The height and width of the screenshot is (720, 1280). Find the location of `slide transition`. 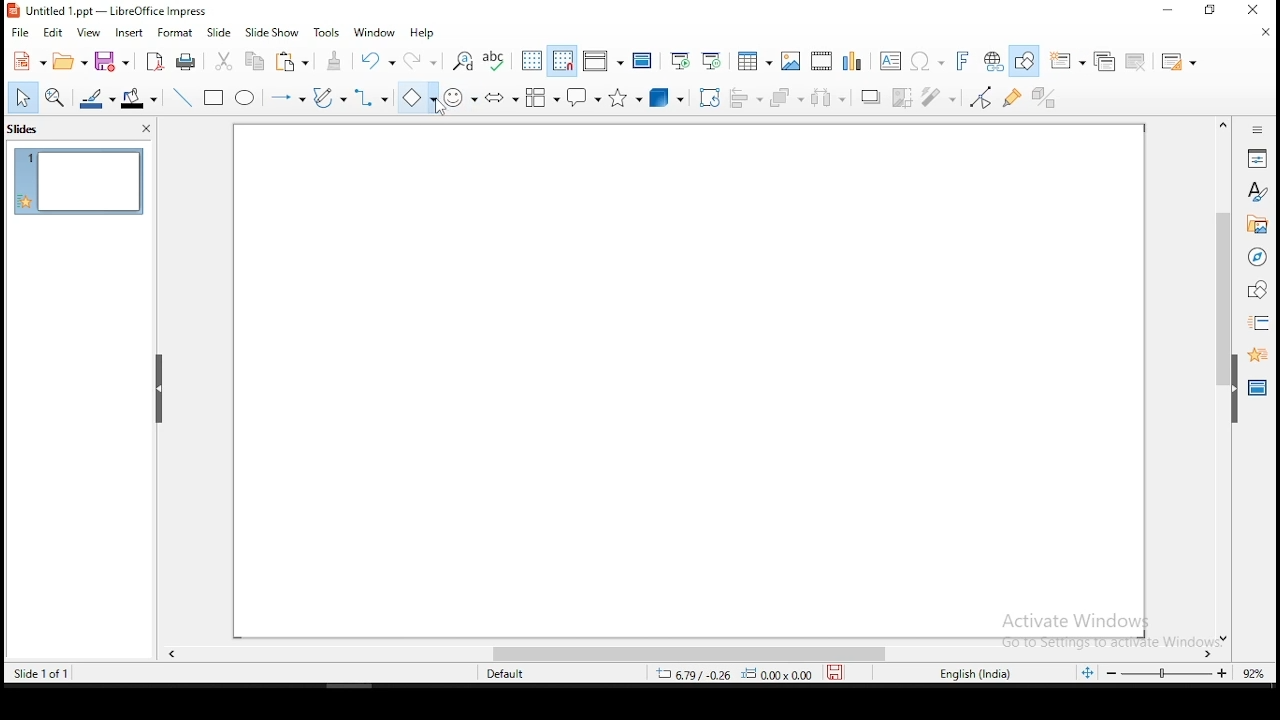

slide transition is located at coordinates (1262, 322).